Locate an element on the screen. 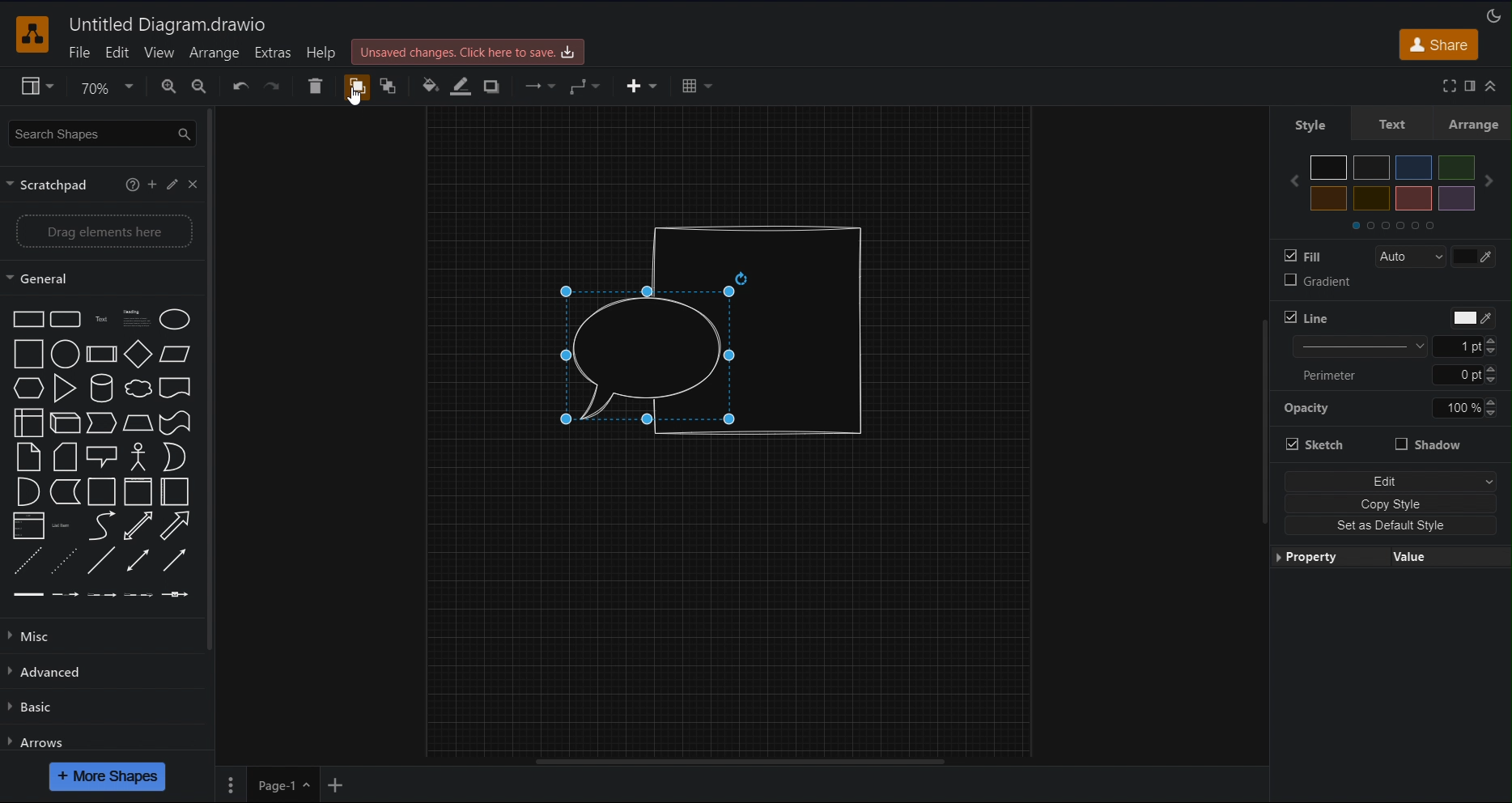 Image resolution: width=1512 pixels, height=803 pixels. Trapezoid is located at coordinates (138, 423).